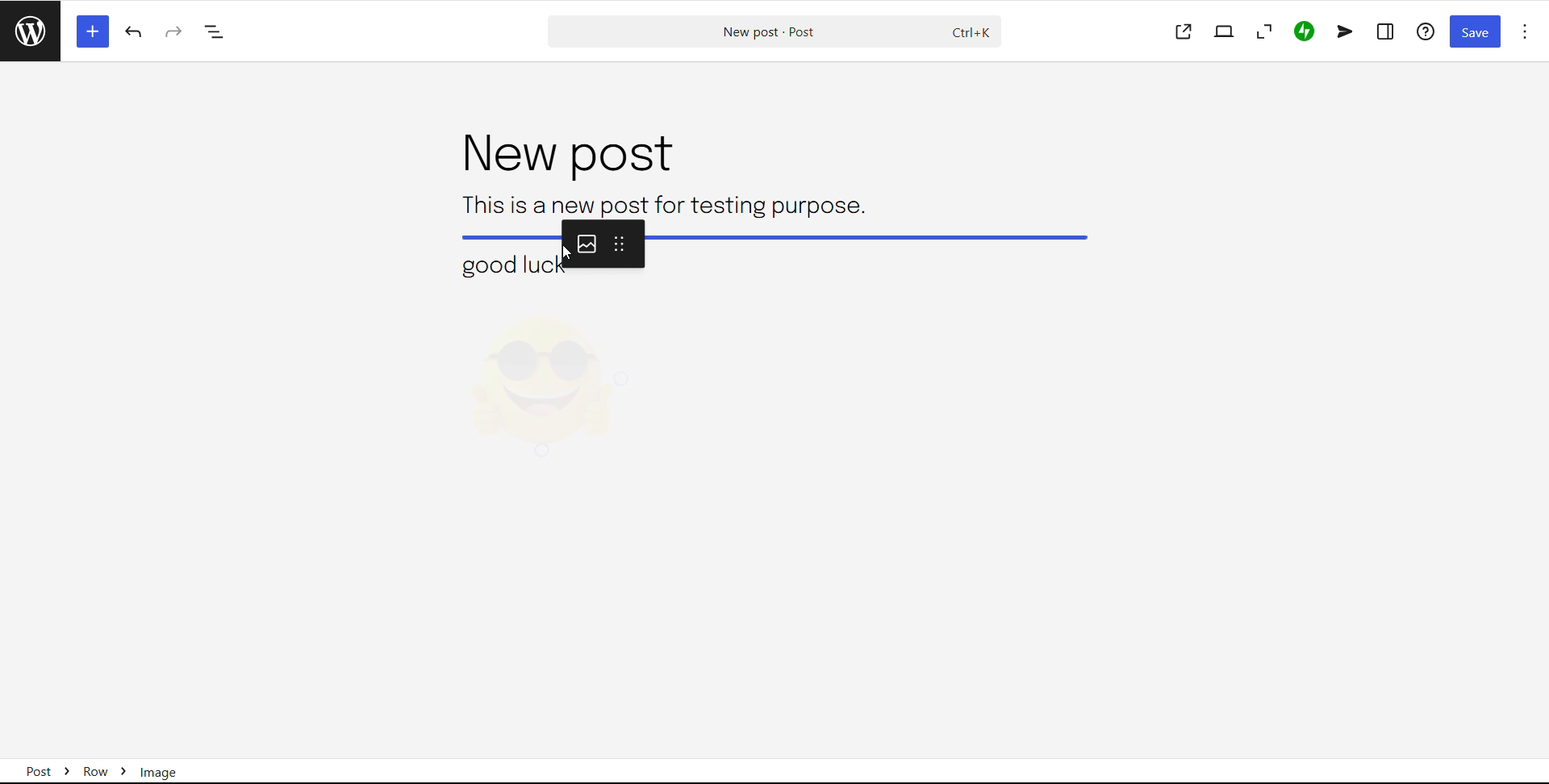  What do you see at coordinates (1263, 31) in the screenshot?
I see `zoom out` at bounding box center [1263, 31].